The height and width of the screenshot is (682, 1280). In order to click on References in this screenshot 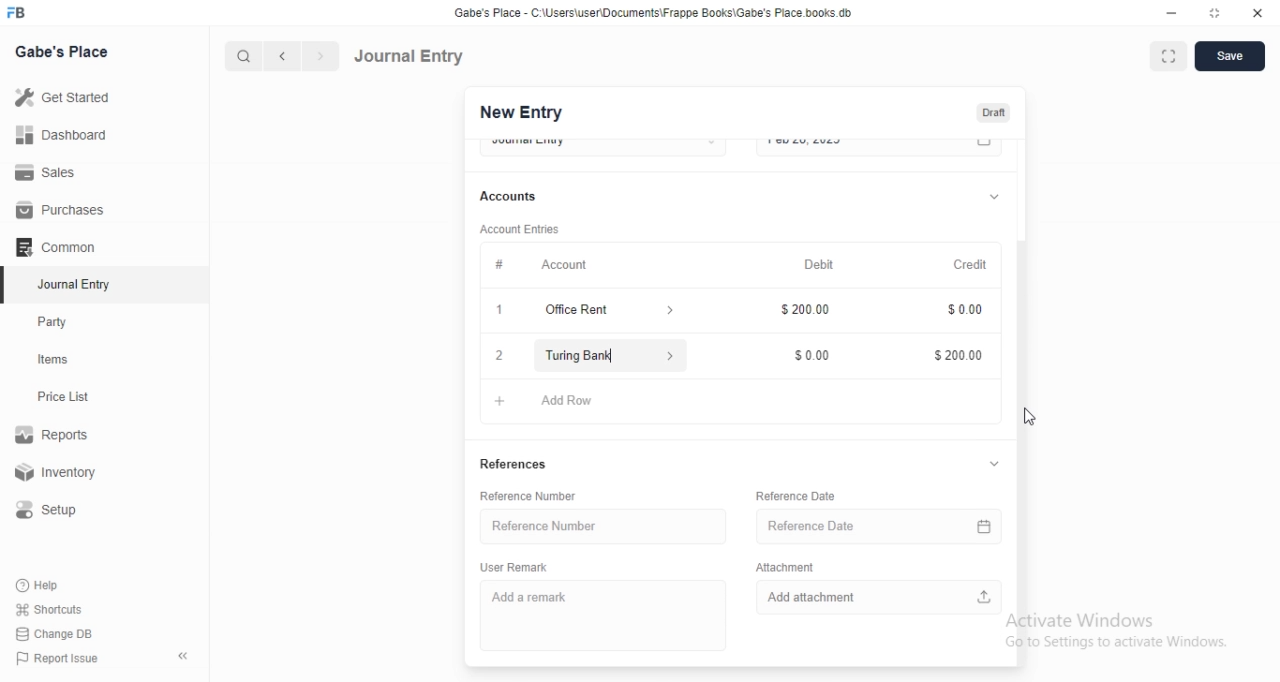, I will do `click(513, 463)`.